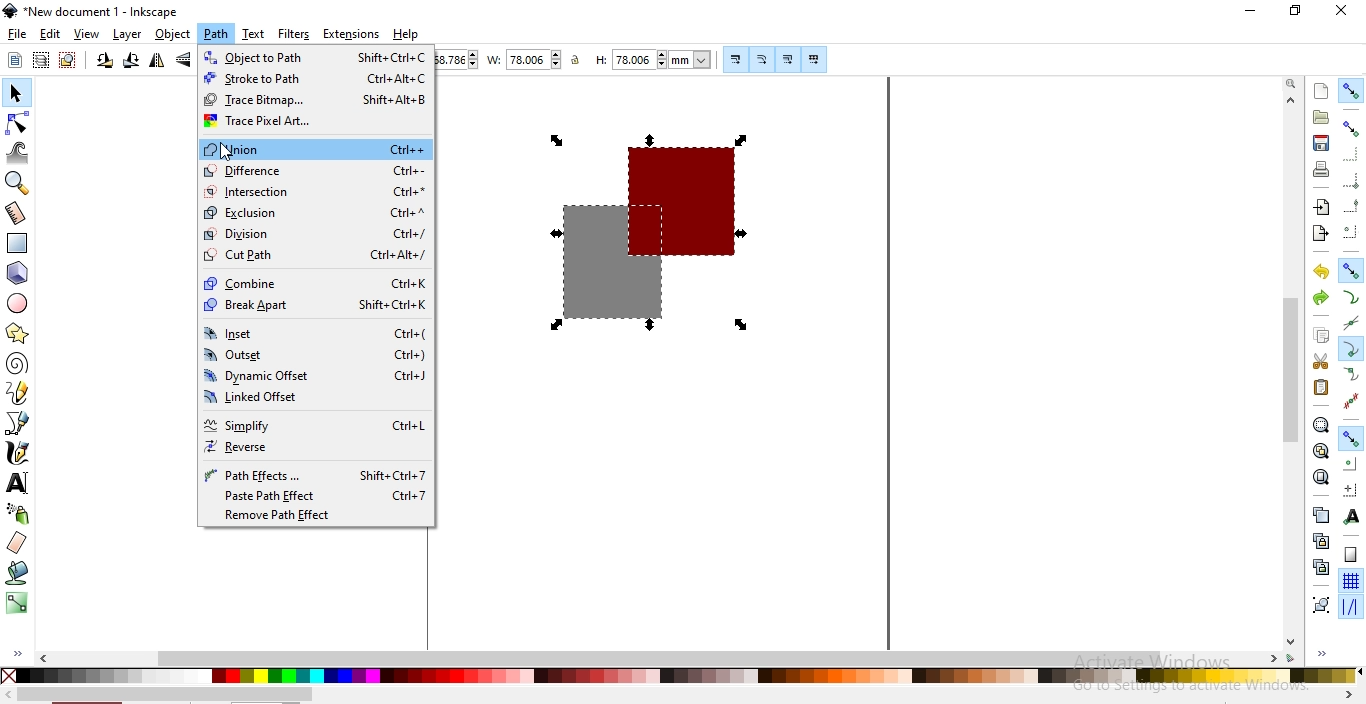 Image resolution: width=1366 pixels, height=704 pixels. Describe the element at coordinates (353, 34) in the screenshot. I see `extensions` at that location.